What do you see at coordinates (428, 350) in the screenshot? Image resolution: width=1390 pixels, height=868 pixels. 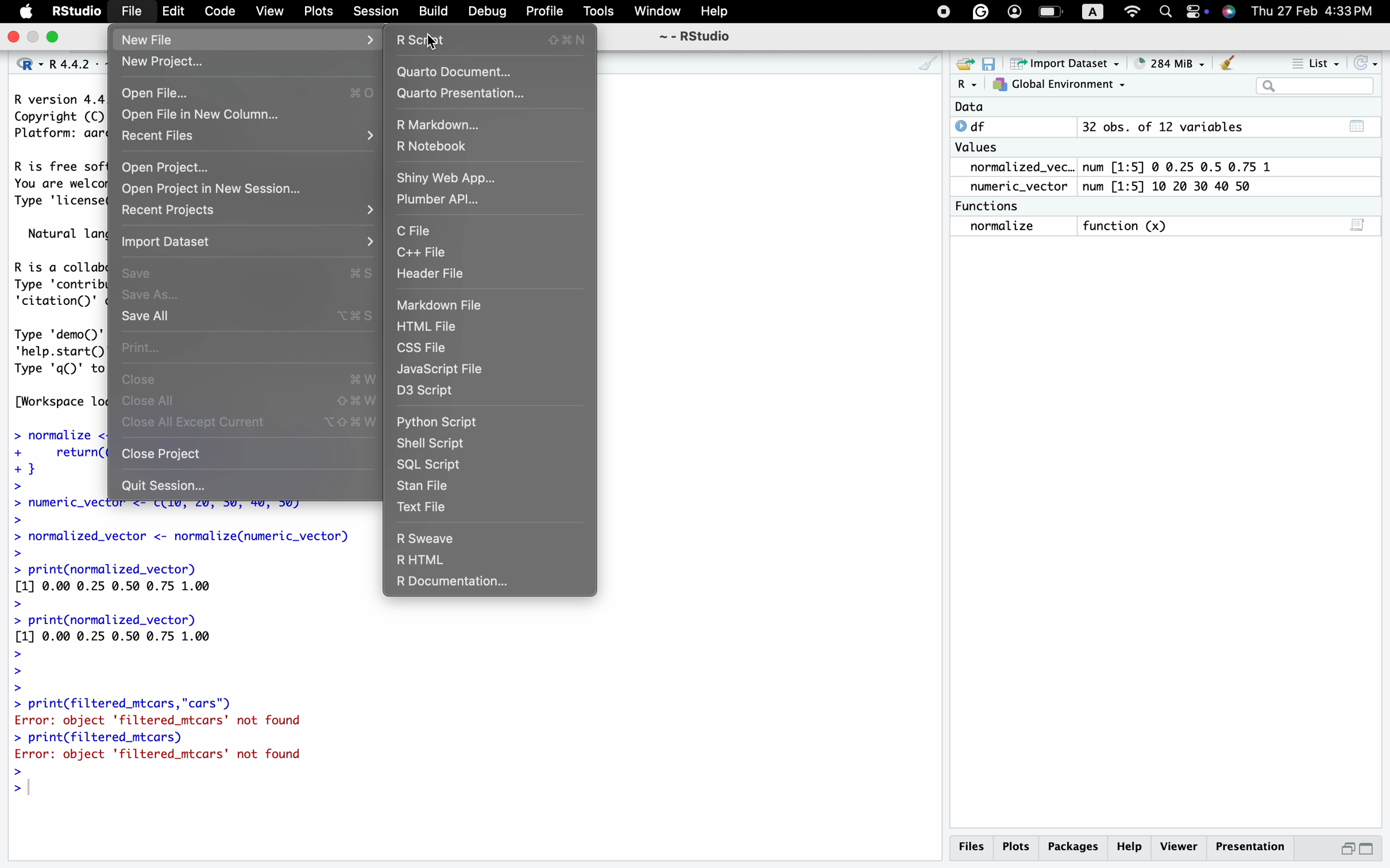 I see `CSS File` at bounding box center [428, 350].